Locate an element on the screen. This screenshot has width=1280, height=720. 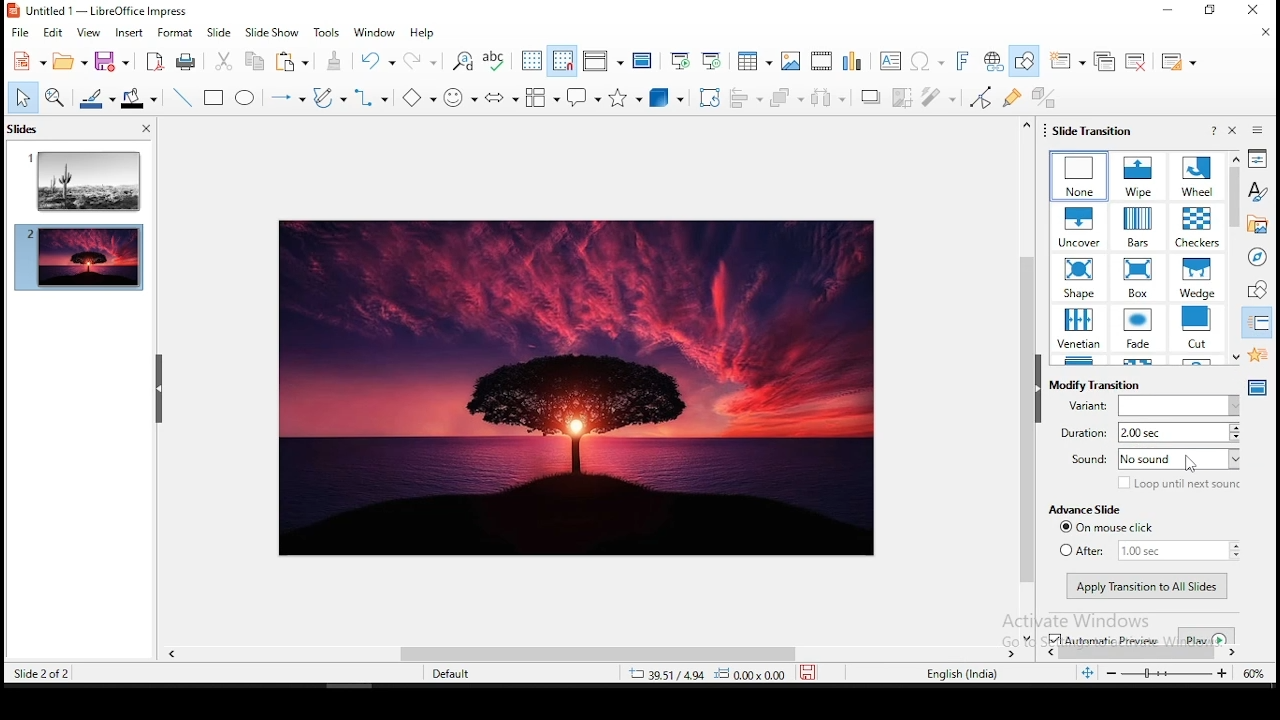
paste is located at coordinates (335, 59).